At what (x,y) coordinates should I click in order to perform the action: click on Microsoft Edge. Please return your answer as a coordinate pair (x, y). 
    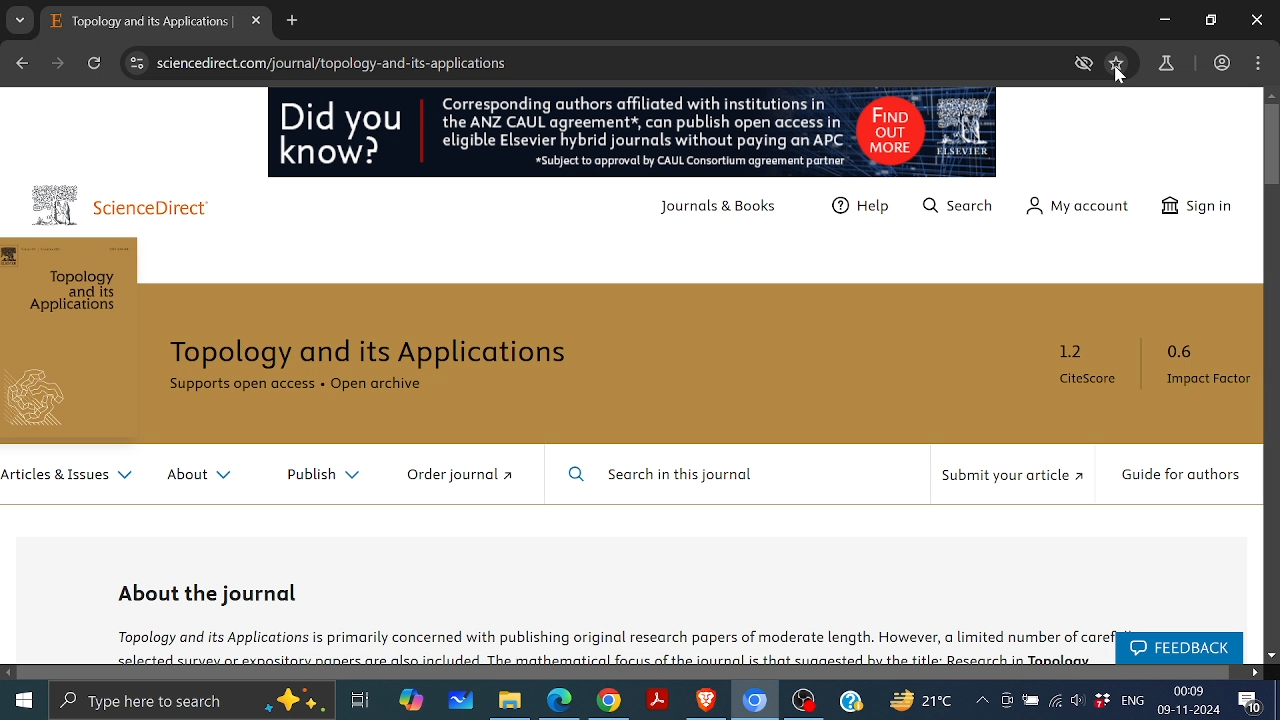
    Looking at the image, I should click on (560, 700).